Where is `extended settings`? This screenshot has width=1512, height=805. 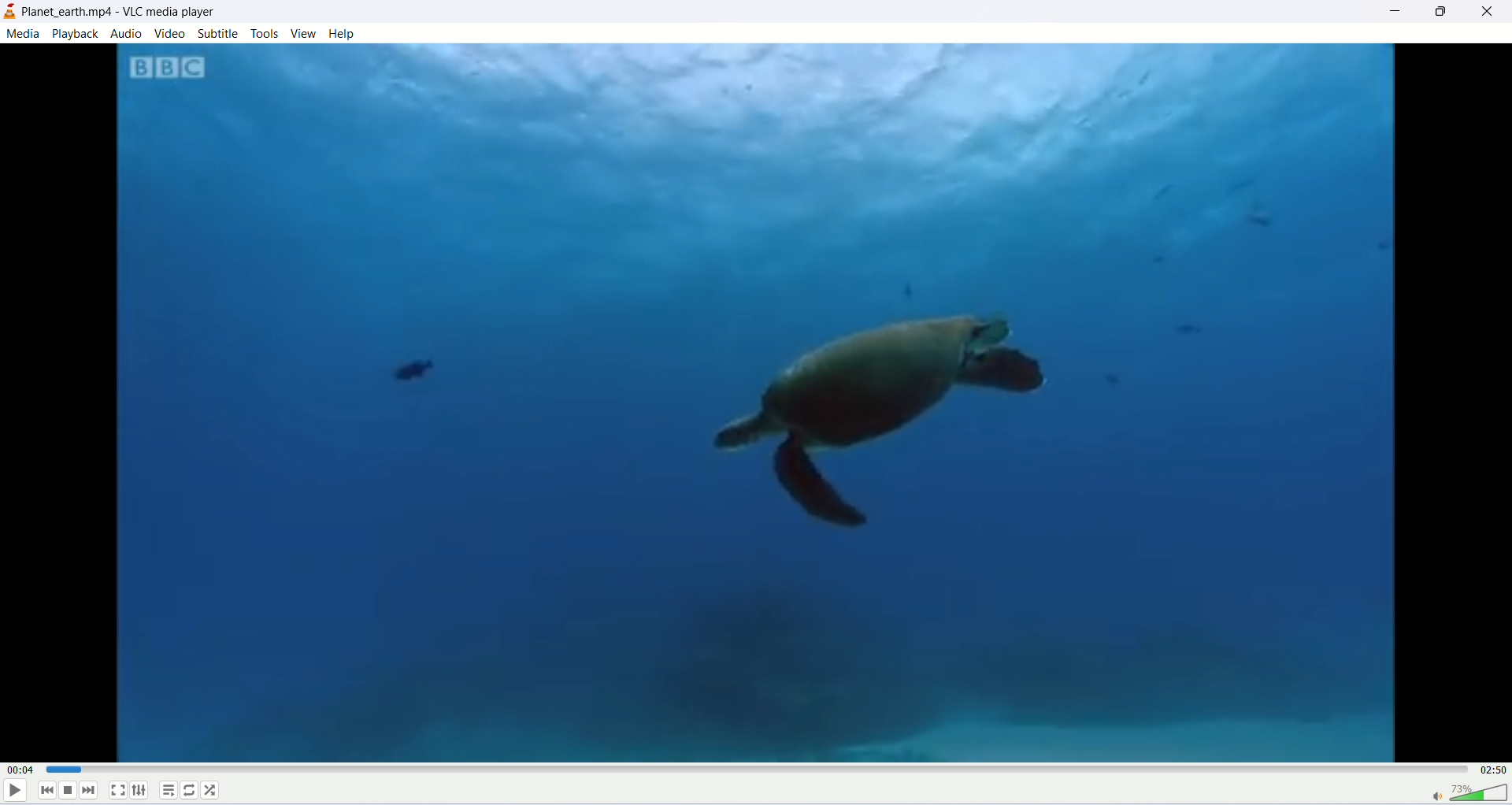
extended settings is located at coordinates (143, 791).